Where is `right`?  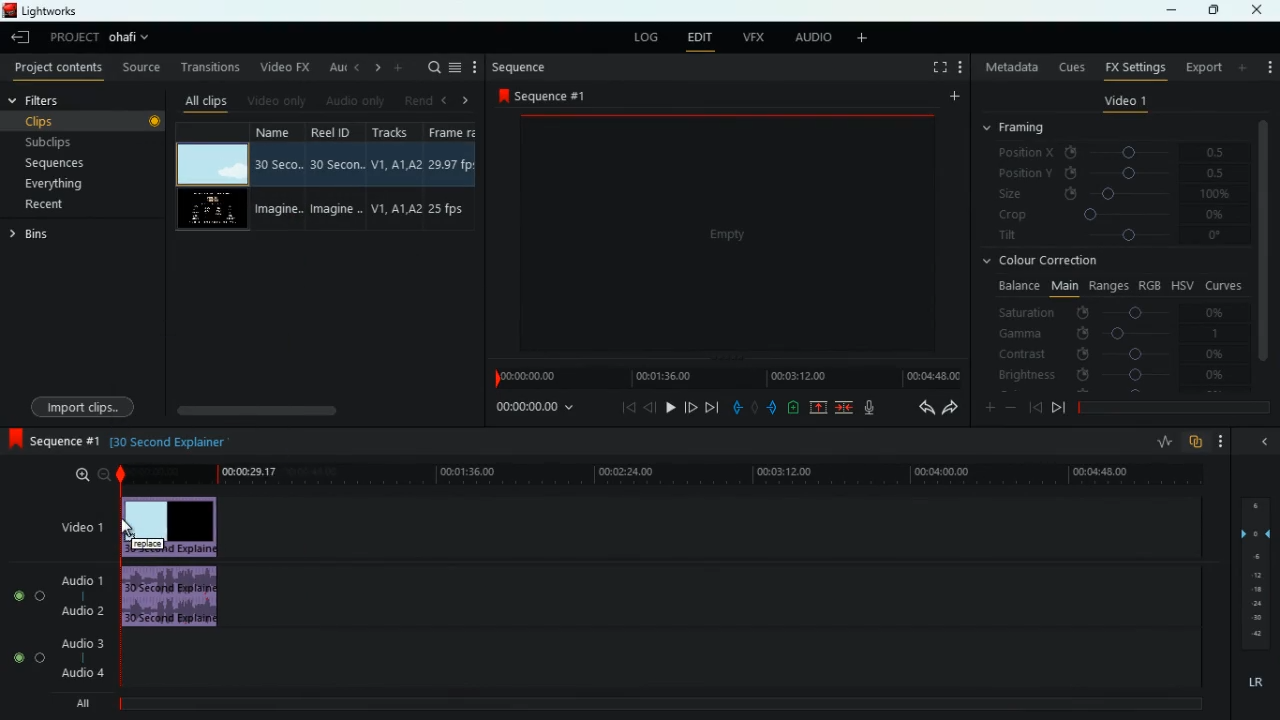
right is located at coordinates (374, 69).